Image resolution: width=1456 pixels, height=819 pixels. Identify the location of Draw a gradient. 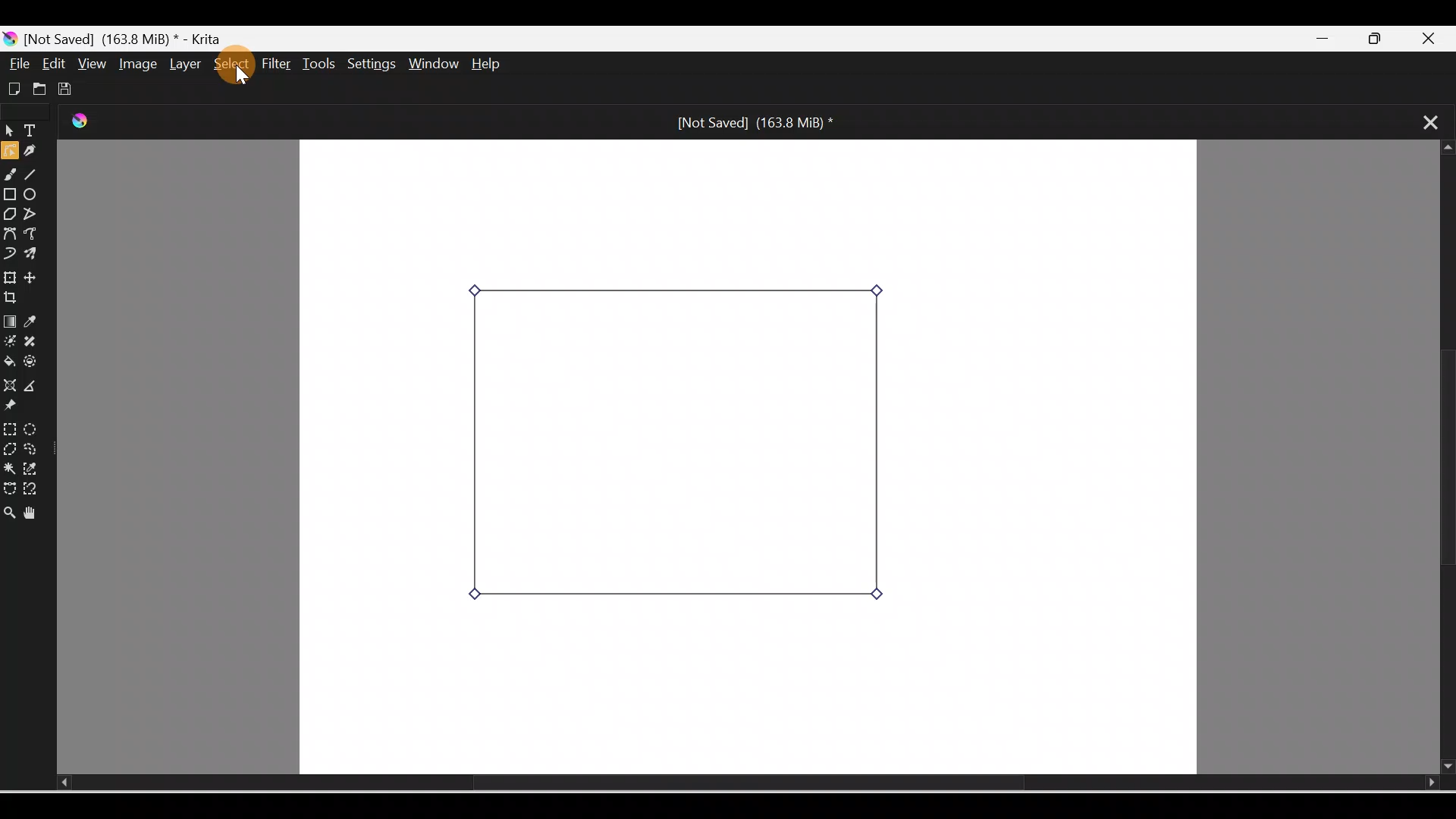
(9, 322).